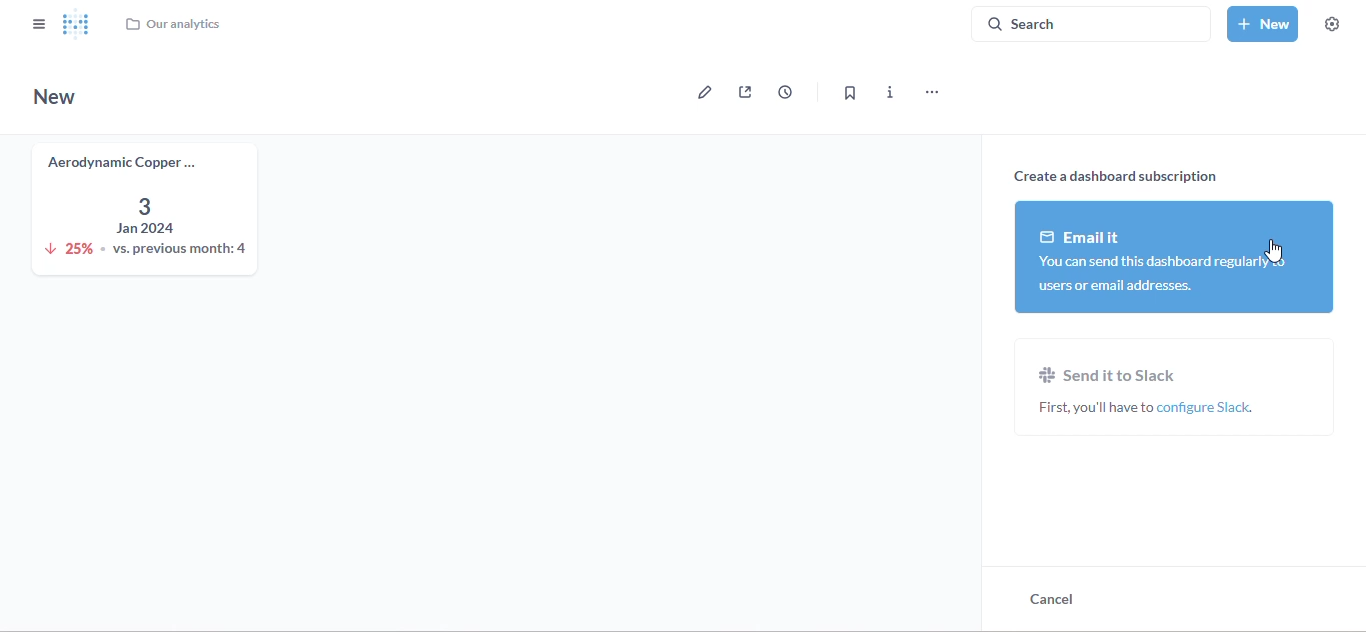 This screenshot has width=1366, height=632. What do you see at coordinates (39, 23) in the screenshot?
I see `close sidebar` at bounding box center [39, 23].